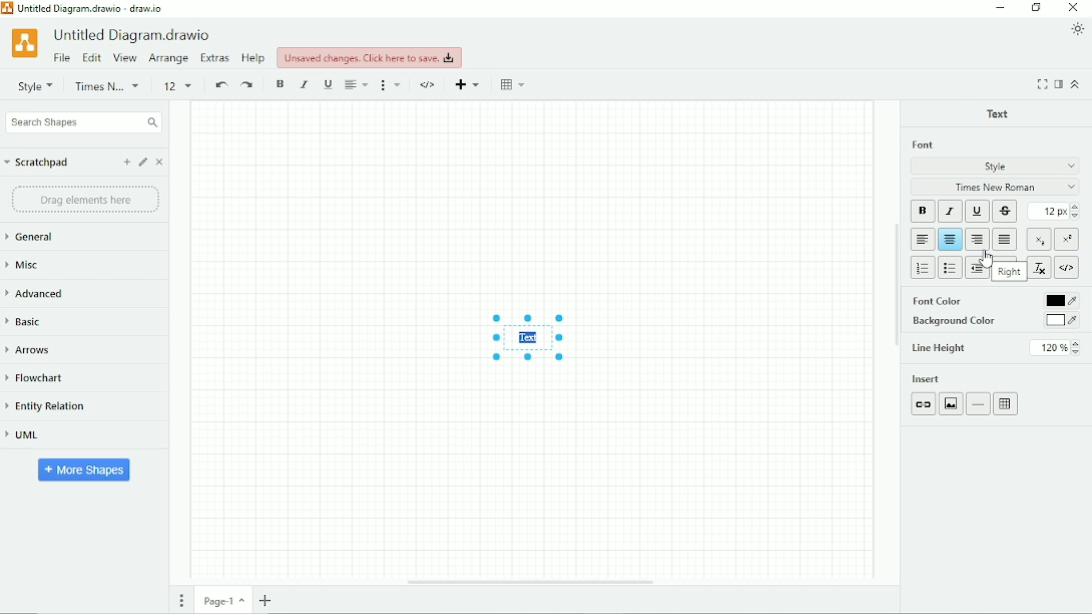  I want to click on Pages, so click(184, 599).